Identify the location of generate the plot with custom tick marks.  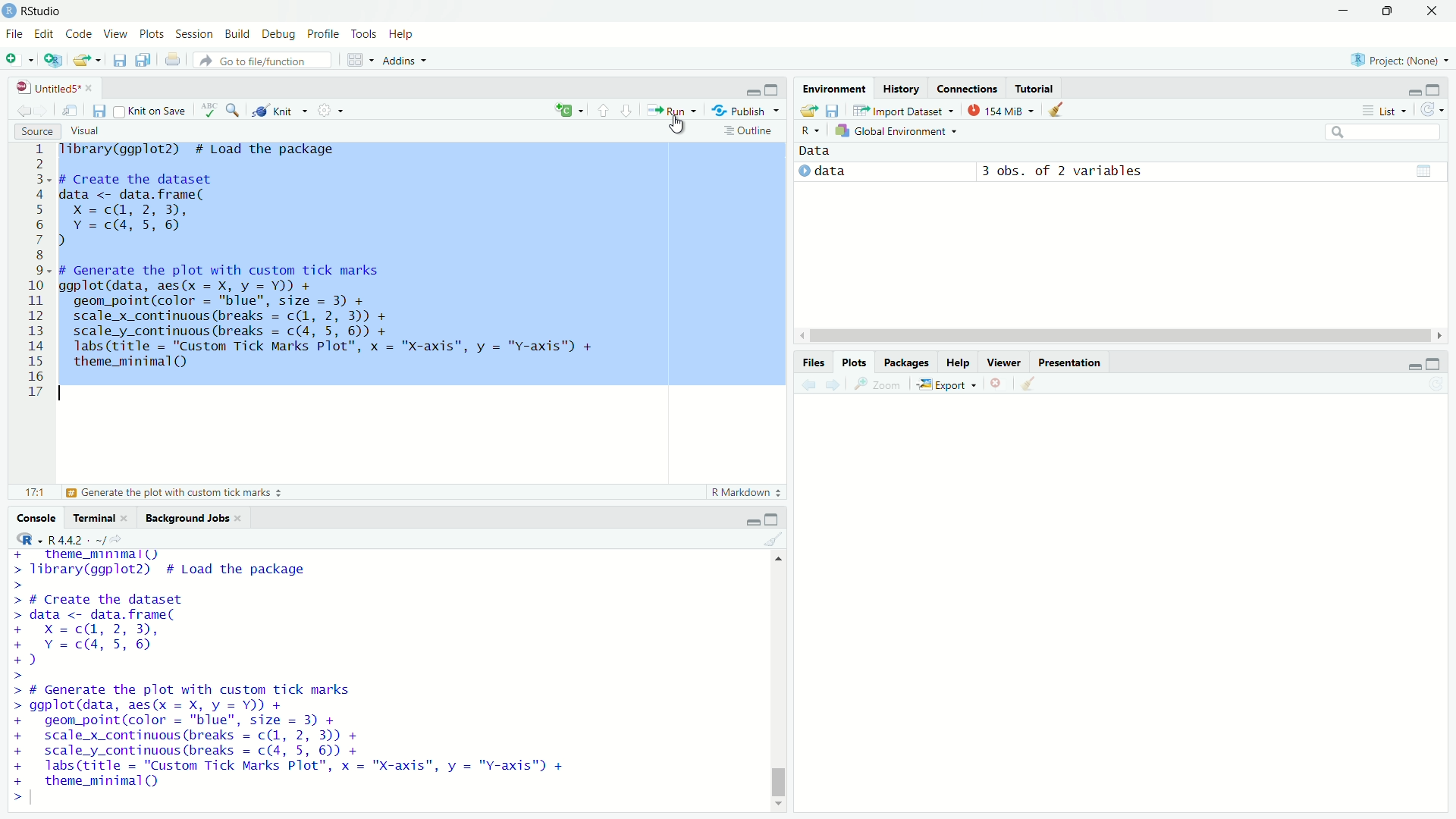
(181, 493).